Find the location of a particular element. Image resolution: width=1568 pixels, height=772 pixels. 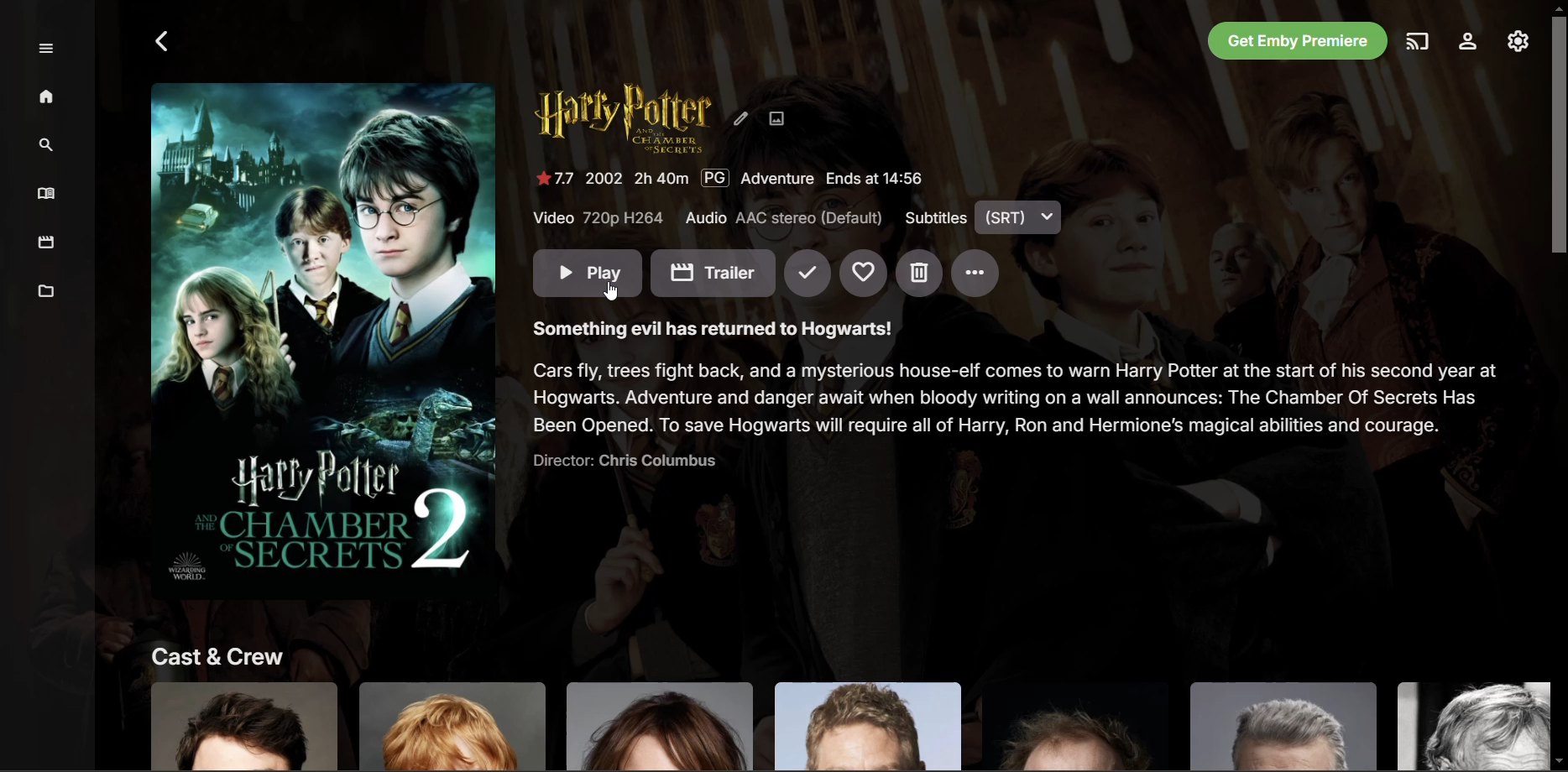

Metadata Manager is located at coordinates (49, 294).